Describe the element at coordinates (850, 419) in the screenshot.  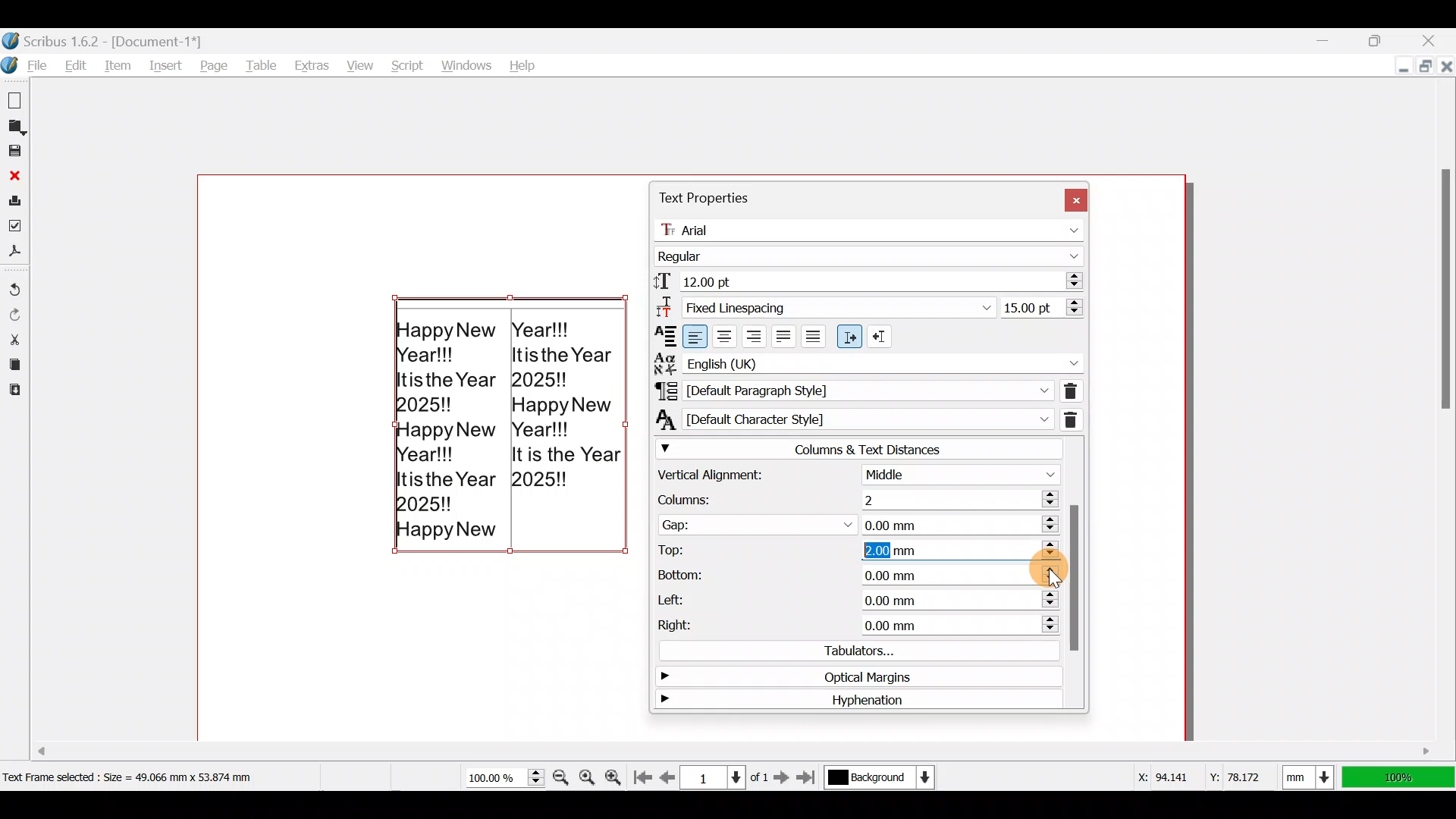
I see `Character style of currently selected text/paragraph` at that location.